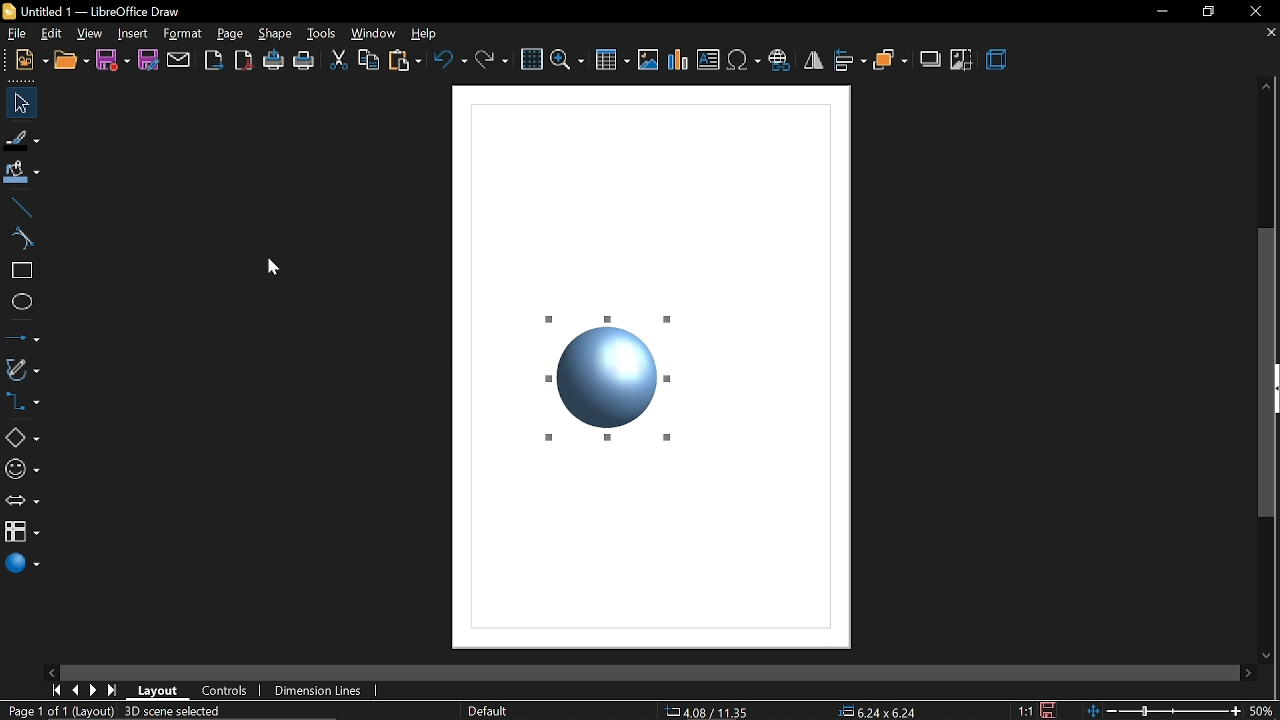 The image size is (1280, 720). Describe the element at coordinates (149, 62) in the screenshot. I see `save as` at that location.